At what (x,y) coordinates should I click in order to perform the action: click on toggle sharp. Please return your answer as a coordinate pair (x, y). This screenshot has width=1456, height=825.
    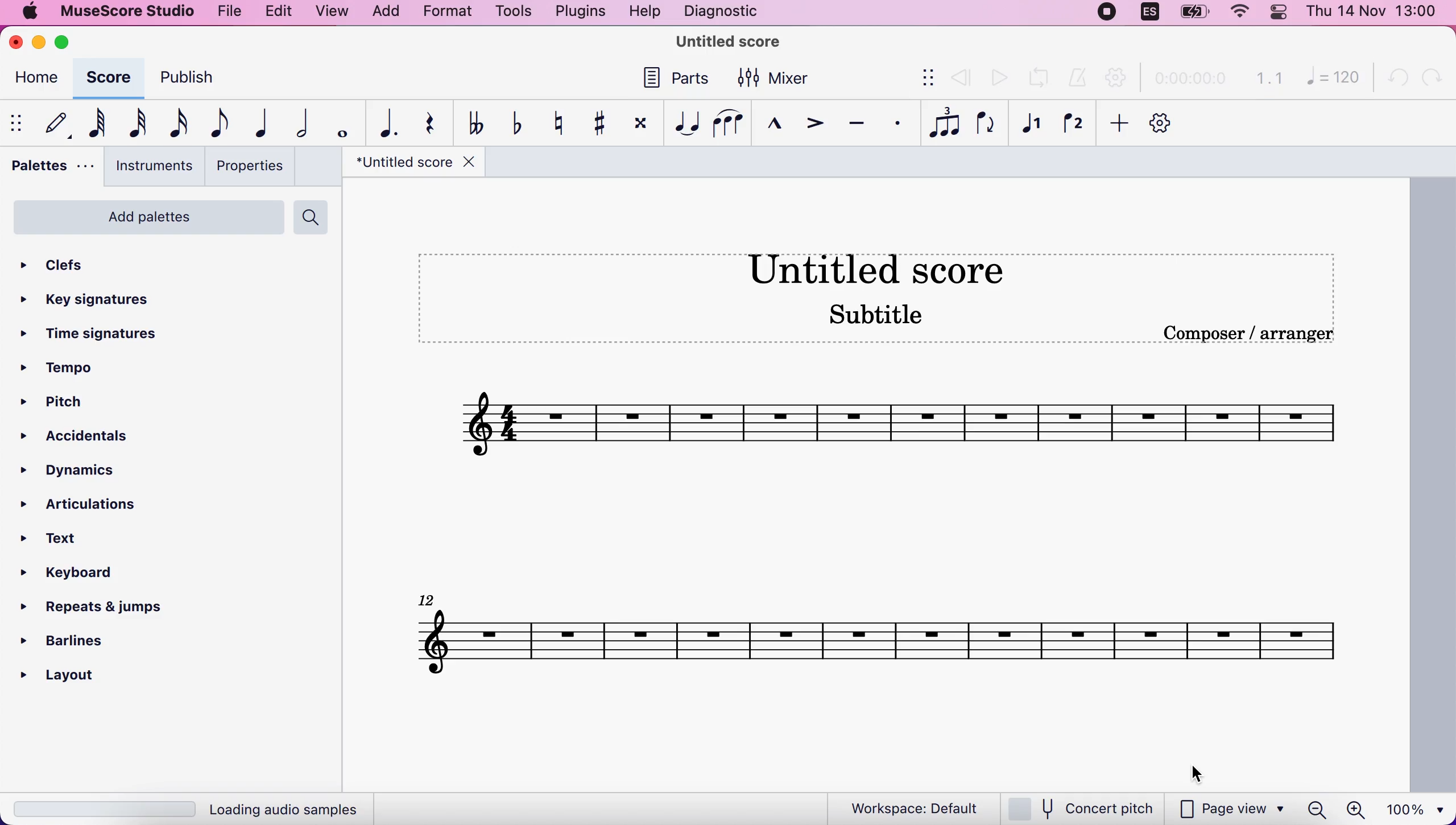
    Looking at the image, I should click on (595, 124).